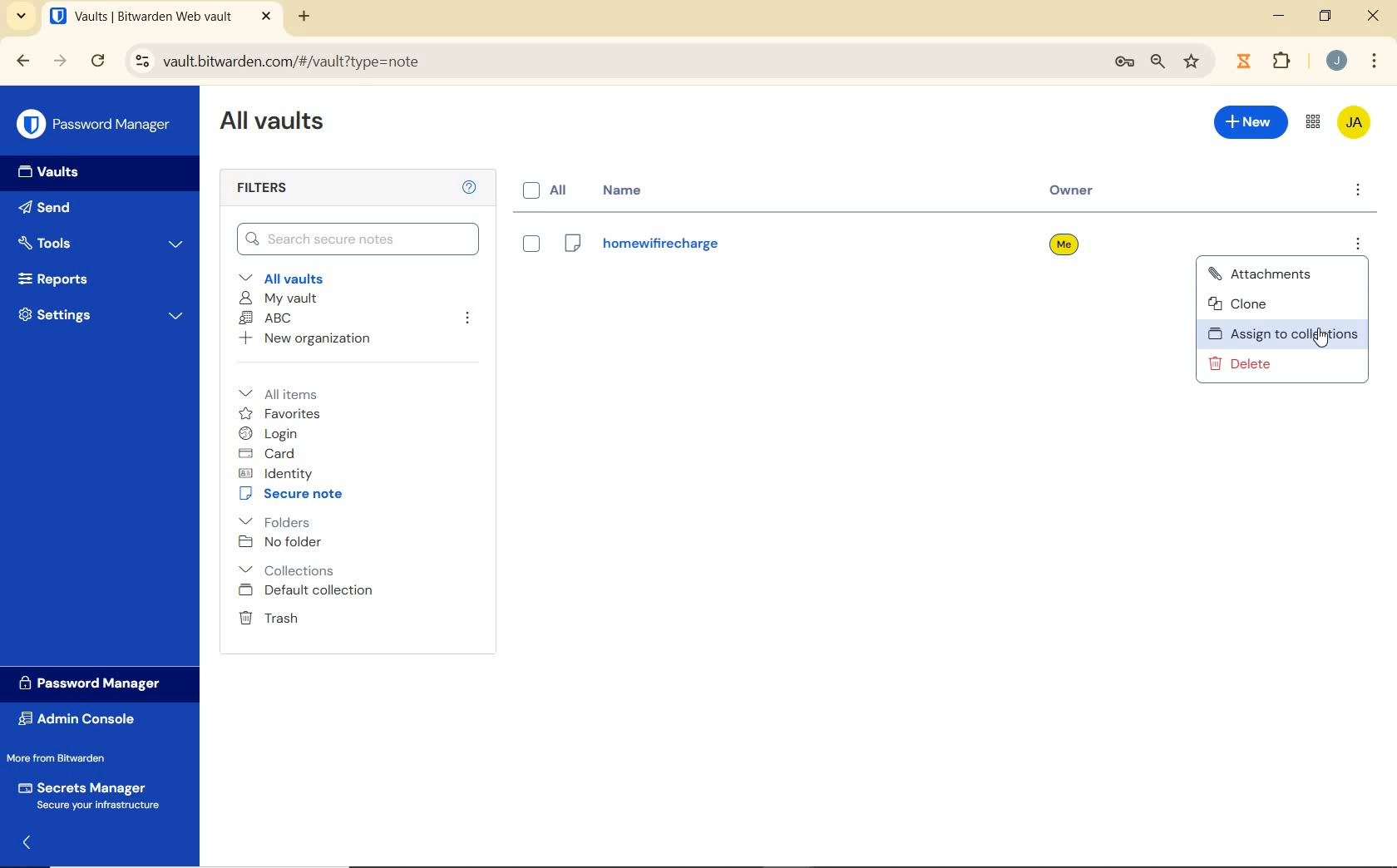 Image resolution: width=1397 pixels, height=868 pixels. I want to click on Plugins, so click(1285, 59).